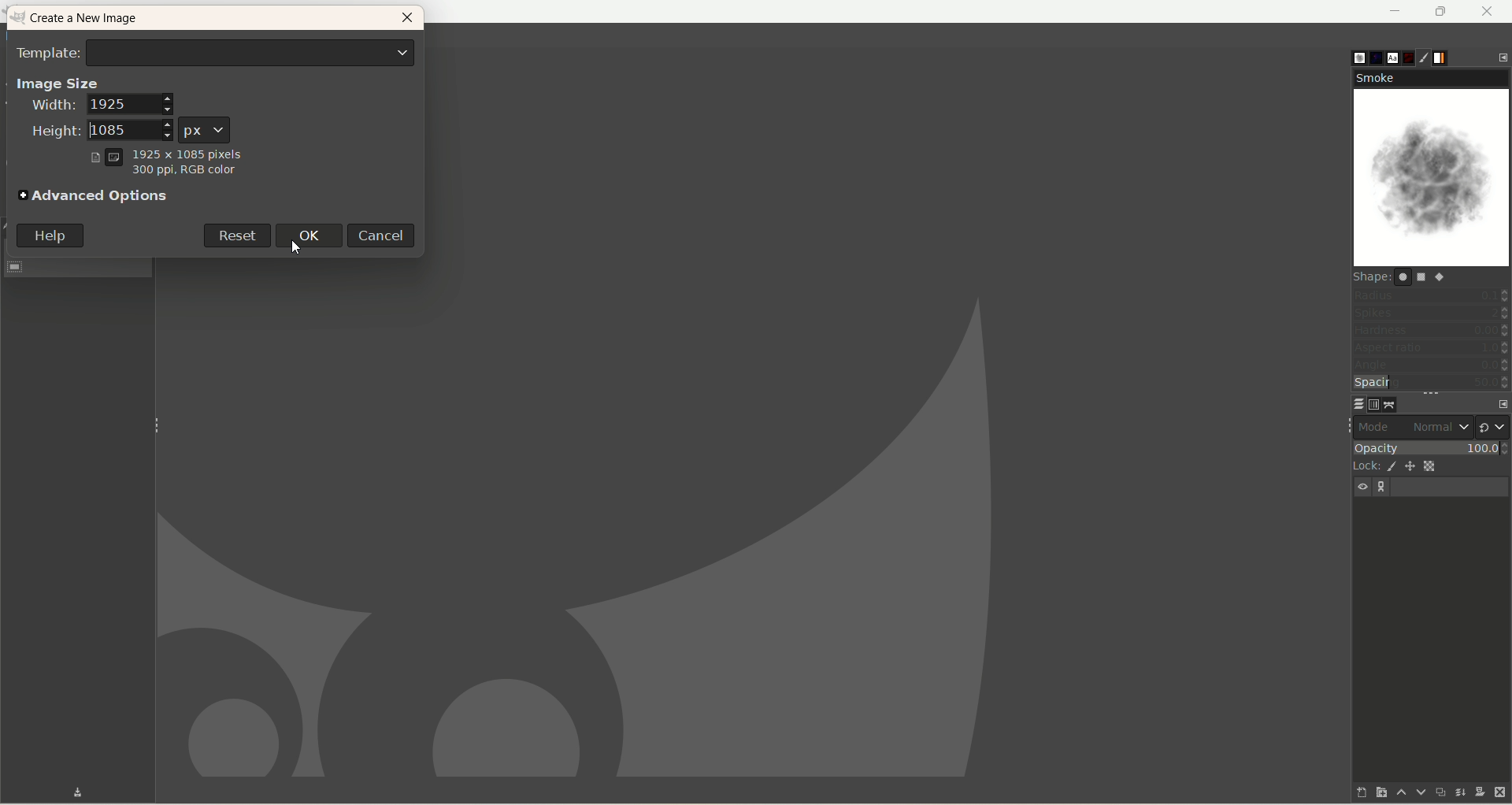 The image size is (1512, 805). I want to click on configure this tab, so click(1503, 56).